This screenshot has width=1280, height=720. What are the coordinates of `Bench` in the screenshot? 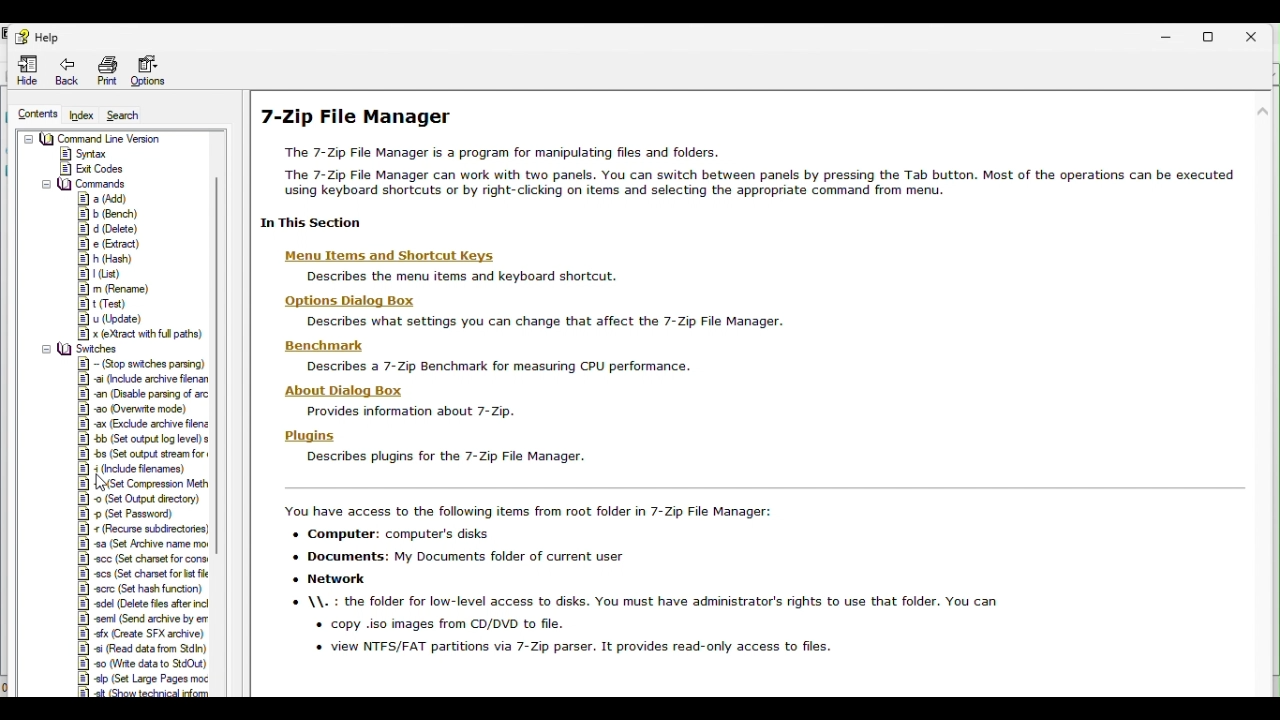 It's located at (107, 215).